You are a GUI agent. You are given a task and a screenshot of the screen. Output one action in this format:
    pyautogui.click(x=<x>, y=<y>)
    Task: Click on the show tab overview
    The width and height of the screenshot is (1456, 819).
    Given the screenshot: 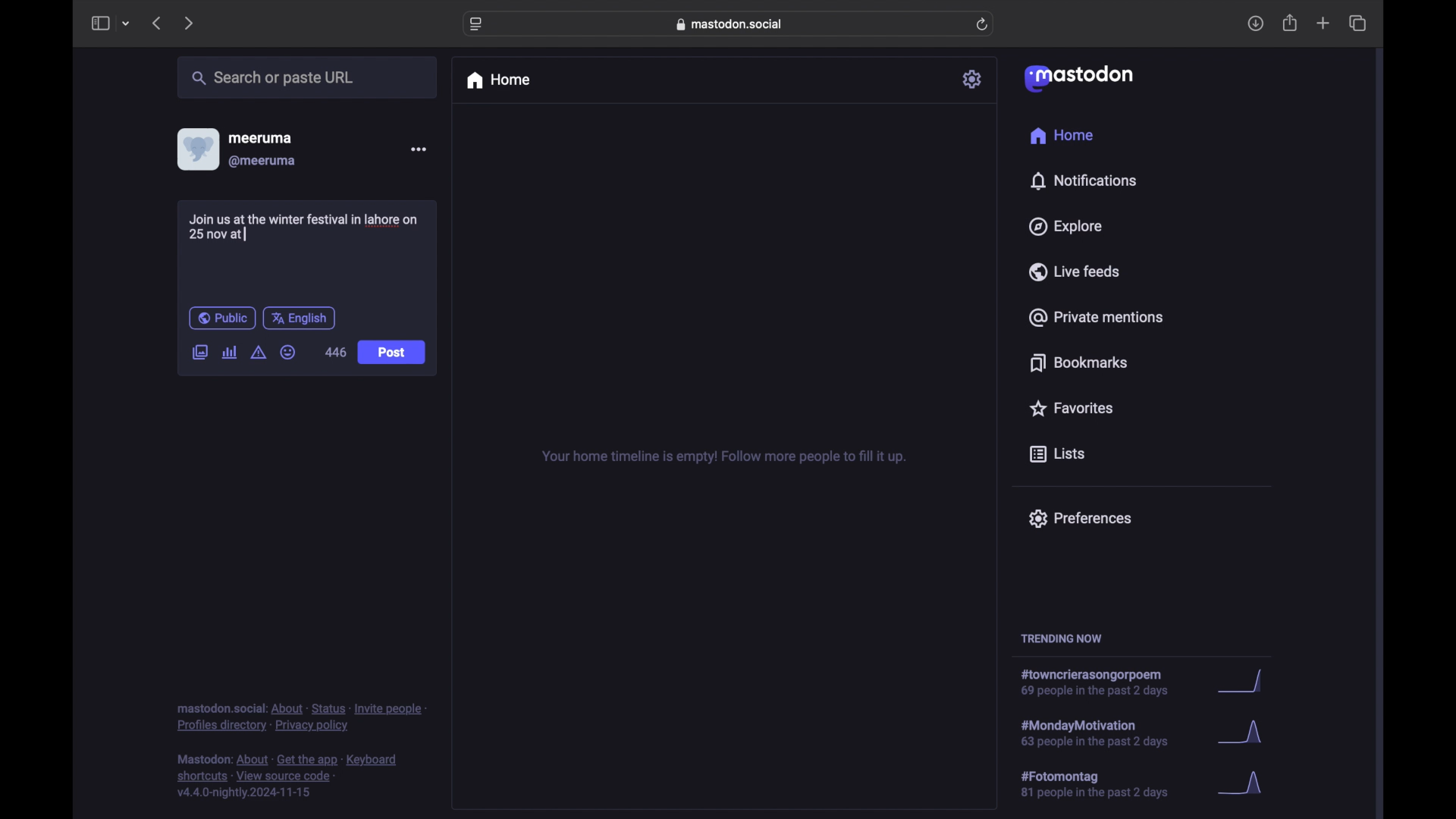 What is the action you would take?
    pyautogui.click(x=1357, y=24)
    